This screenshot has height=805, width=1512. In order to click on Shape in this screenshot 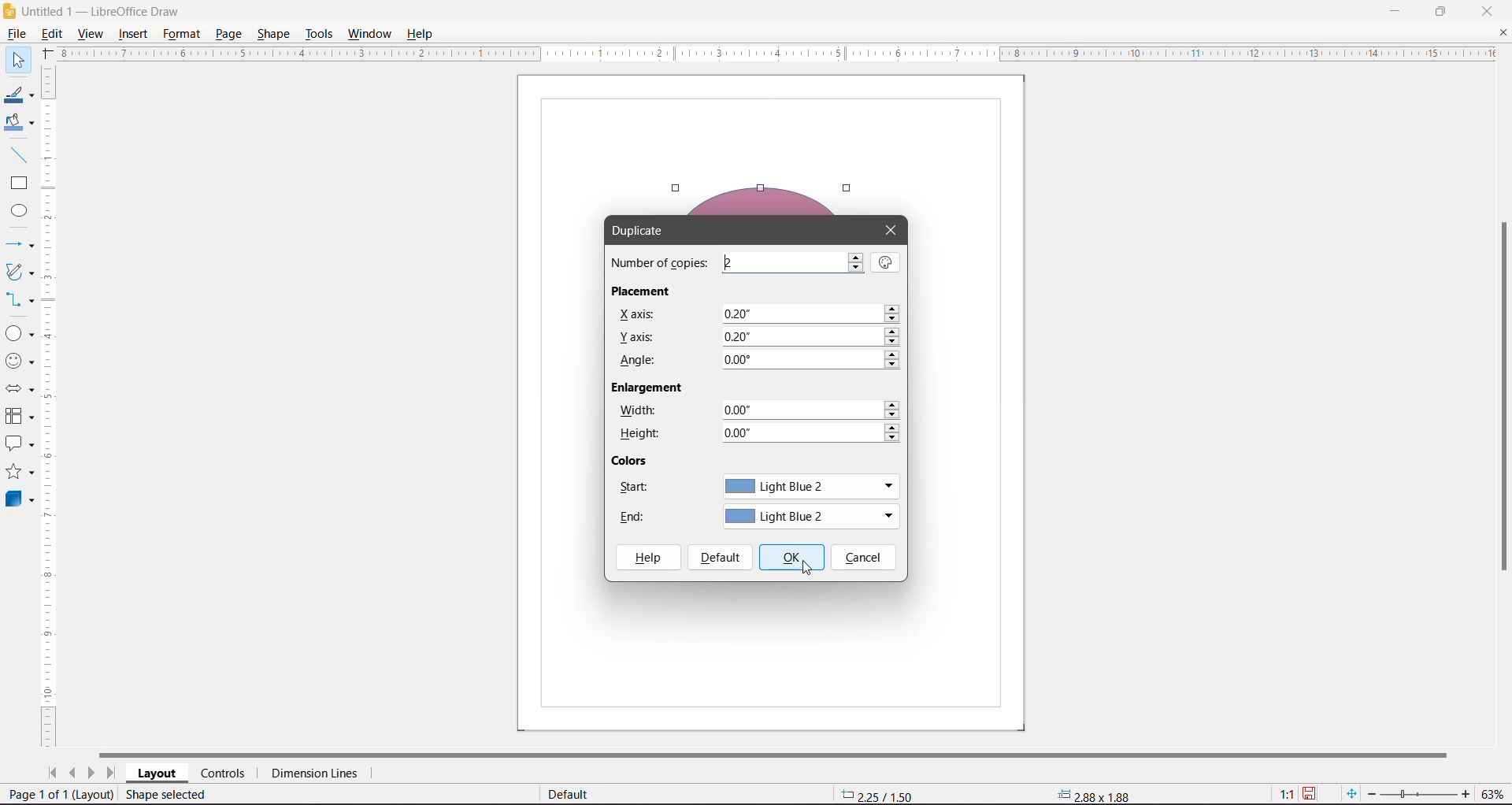, I will do `click(272, 35)`.